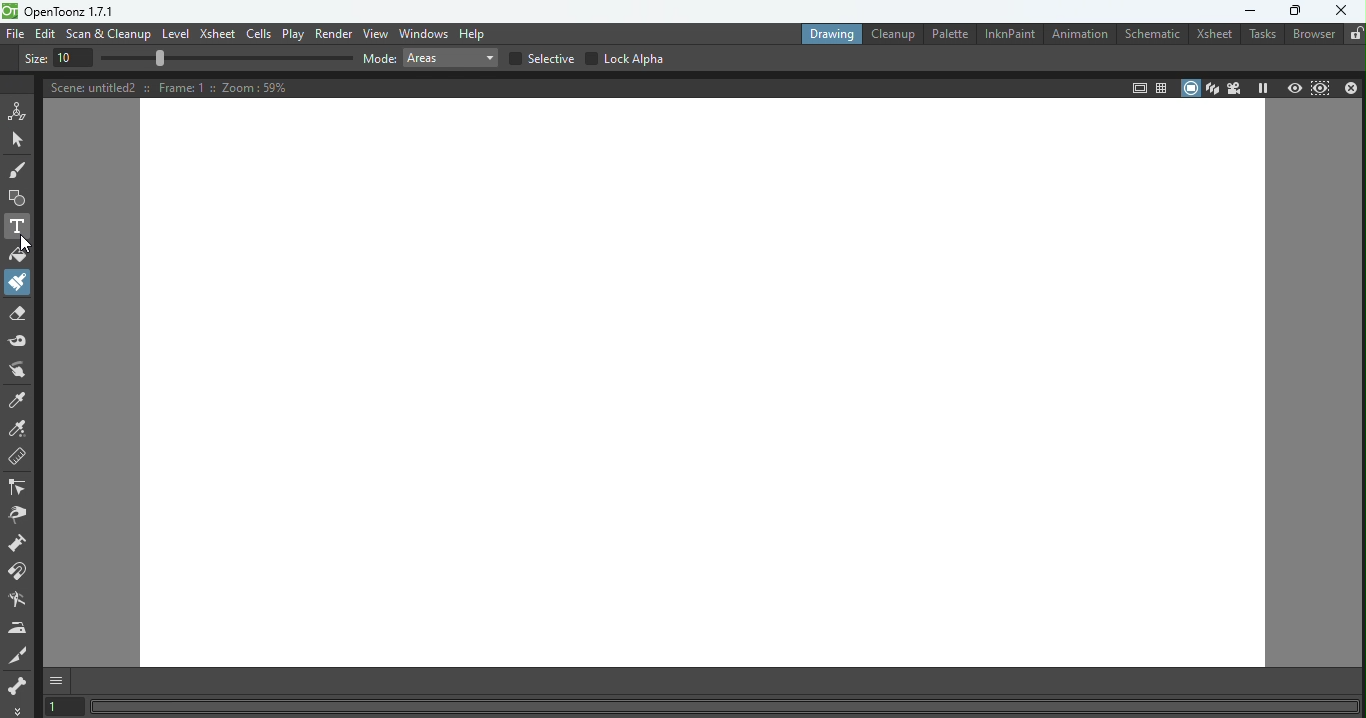  What do you see at coordinates (704, 385) in the screenshot?
I see `Canvas` at bounding box center [704, 385].